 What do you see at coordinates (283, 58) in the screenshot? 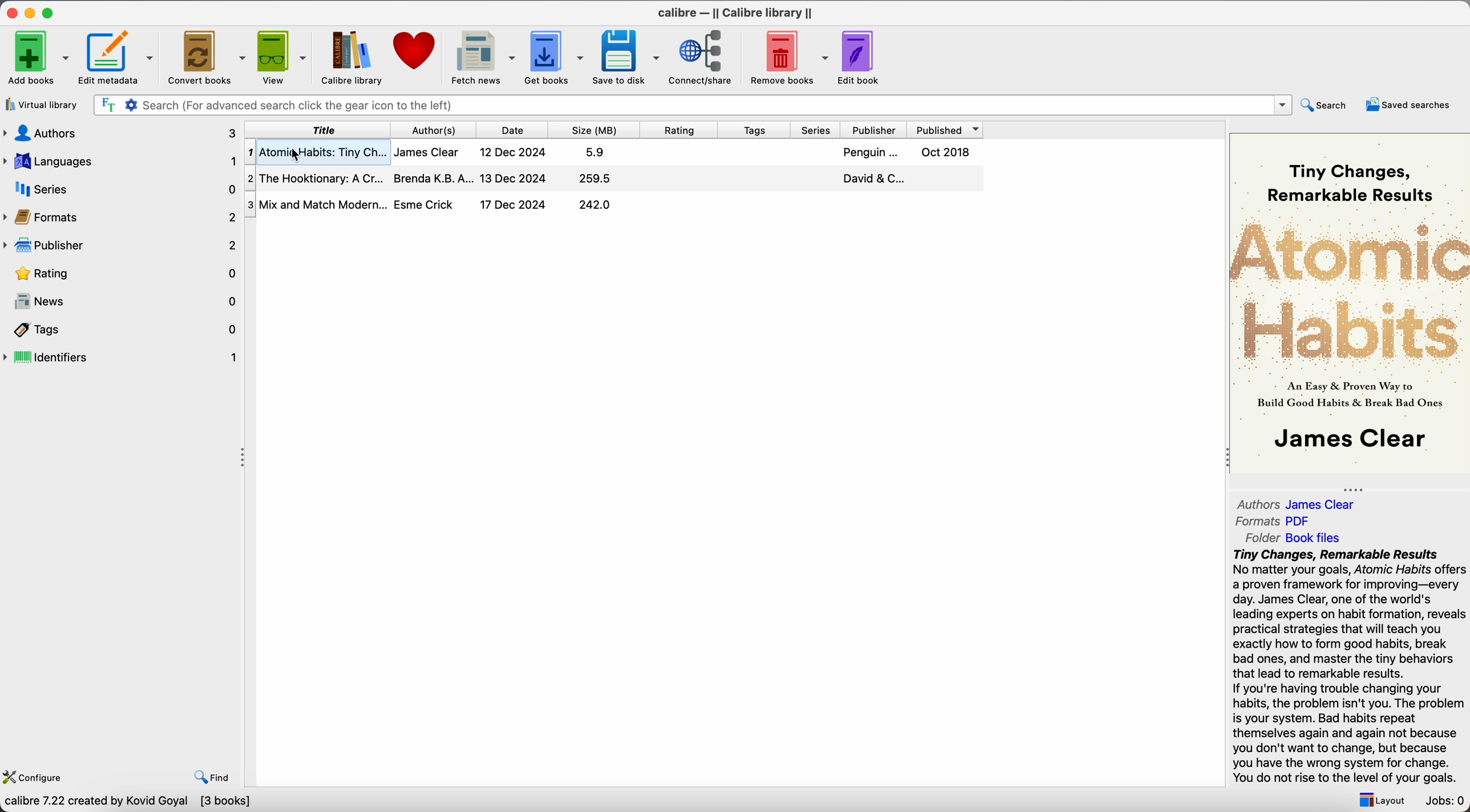
I see `view` at bounding box center [283, 58].